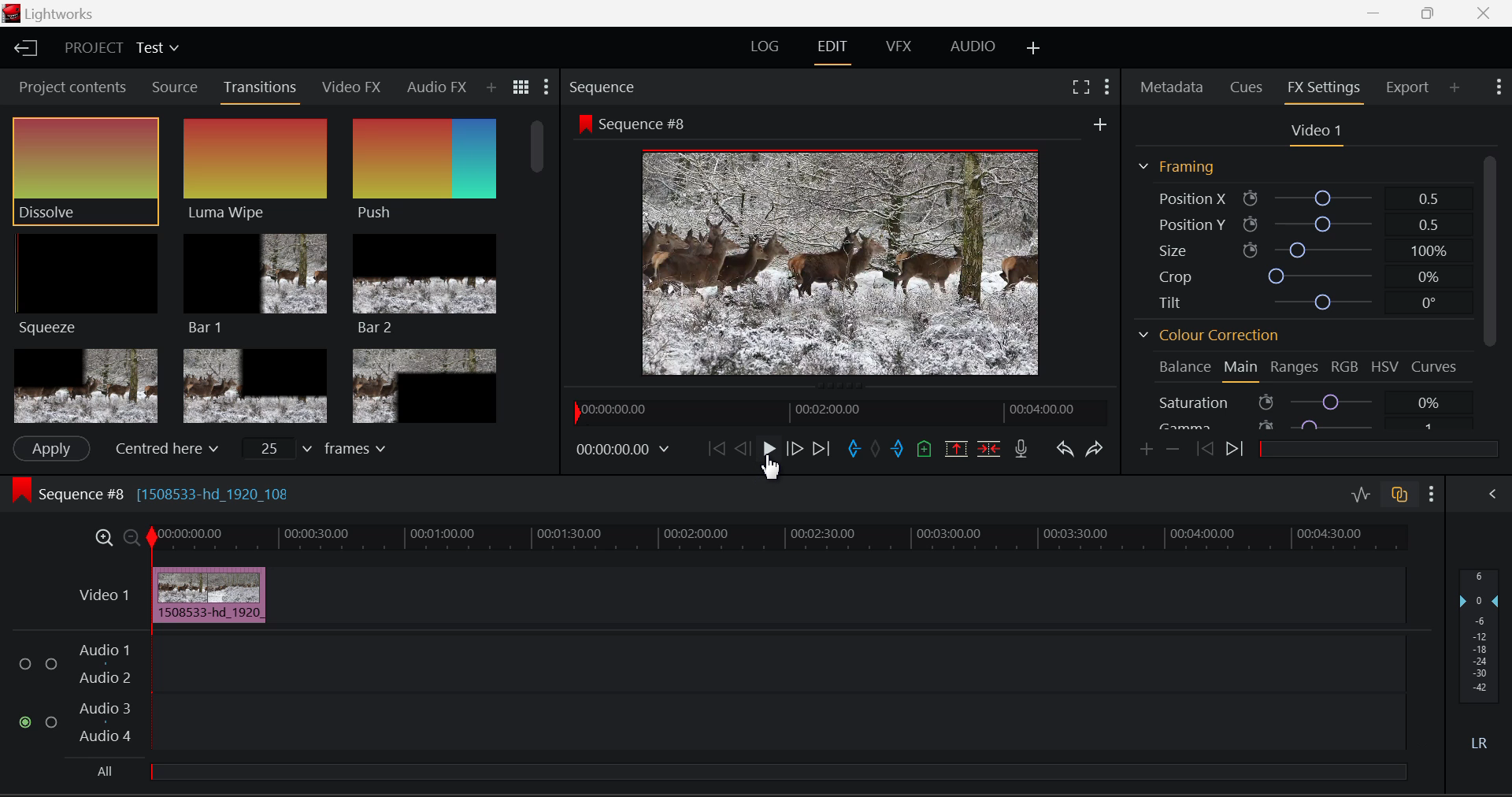 The width and height of the screenshot is (1512, 797). What do you see at coordinates (1034, 50) in the screenshot?
I see `Add Layout` at bounding box center [1034, 50].